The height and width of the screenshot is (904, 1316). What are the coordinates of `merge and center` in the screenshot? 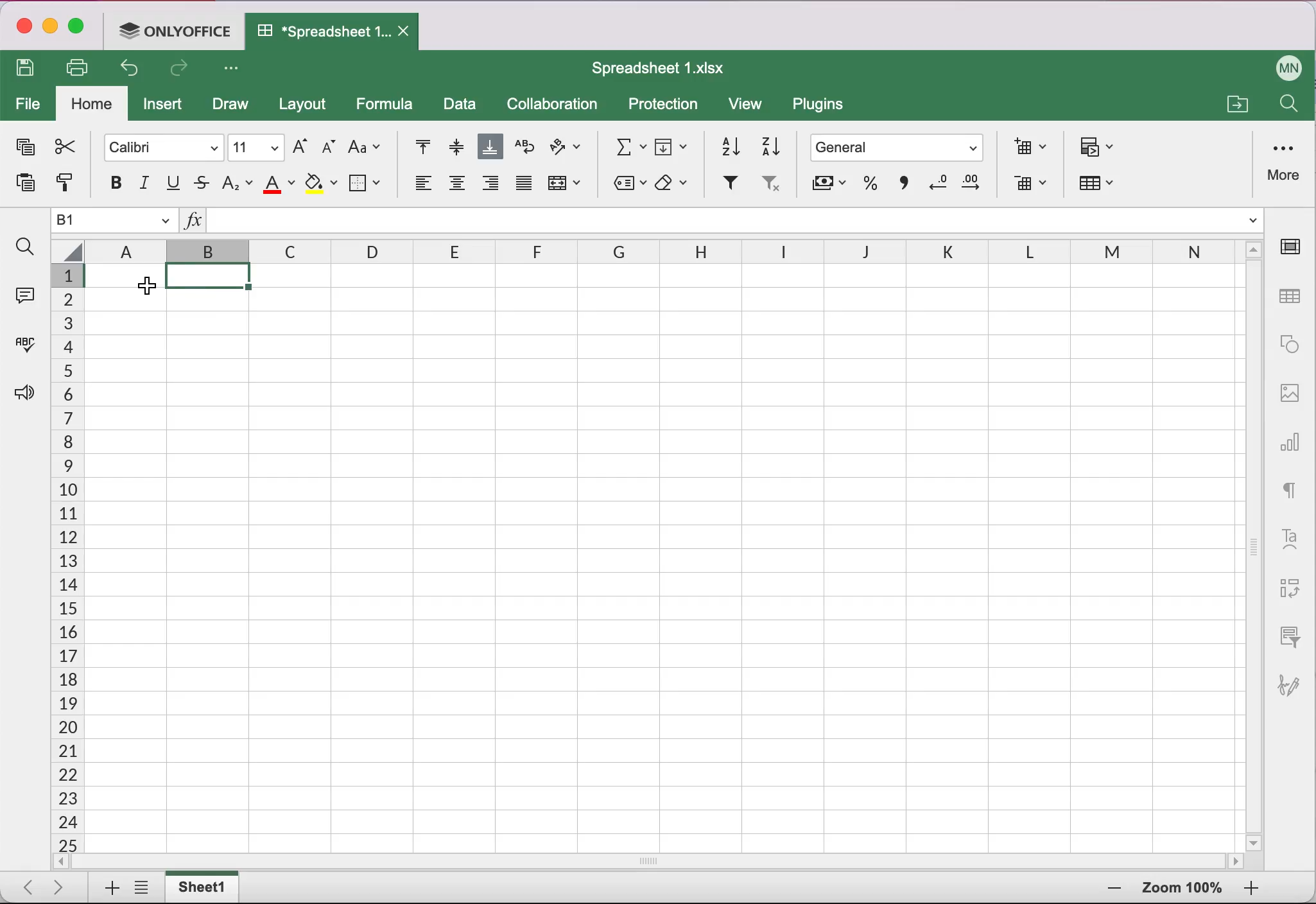 It's located at (567, 187).